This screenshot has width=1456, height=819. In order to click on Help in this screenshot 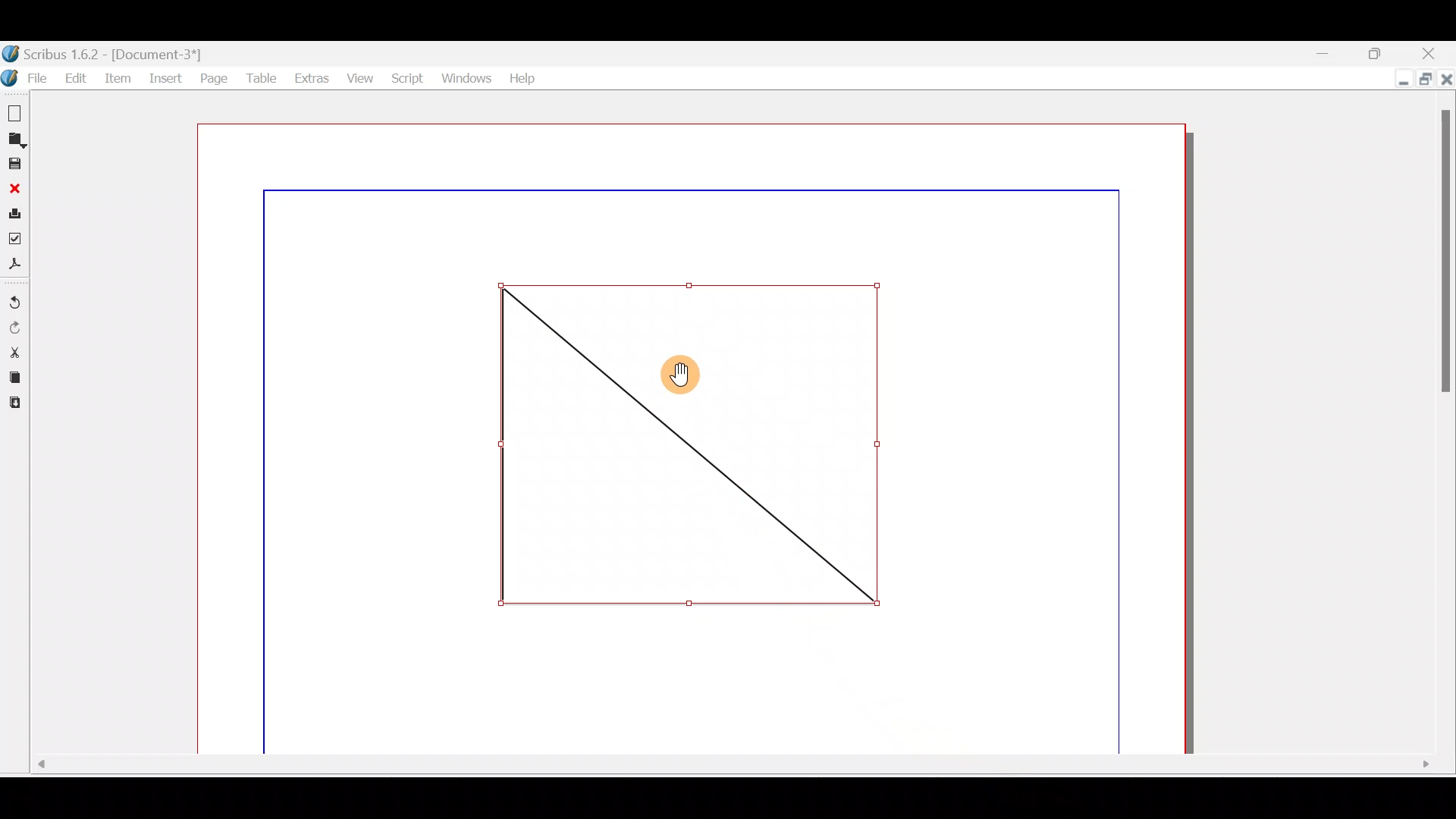, I will do `click(522, 77)`.